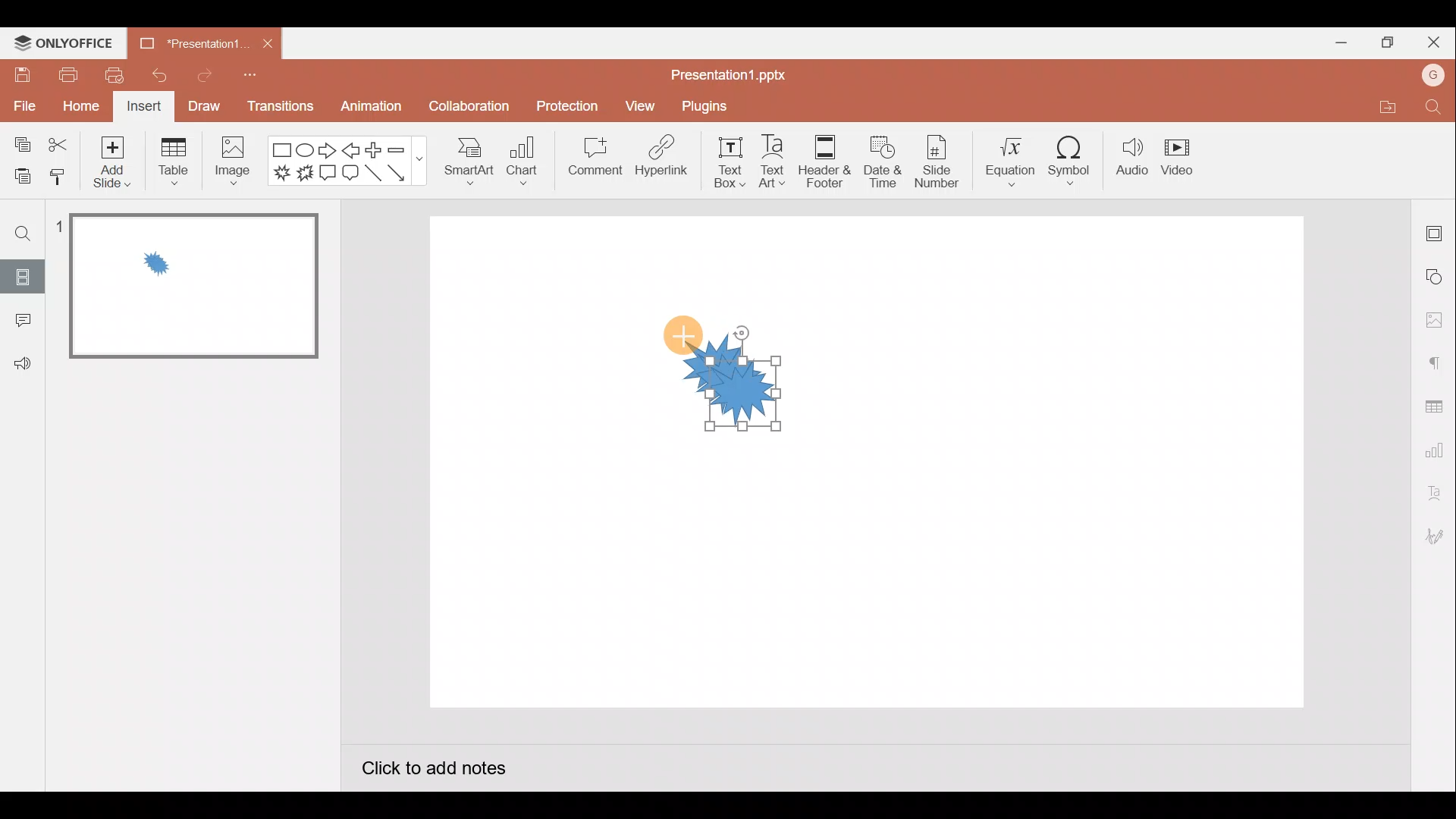 The image size is (1456, 819). Describe the element at coordinates (736, 381) in the screenshot. I see `shape` at that location.